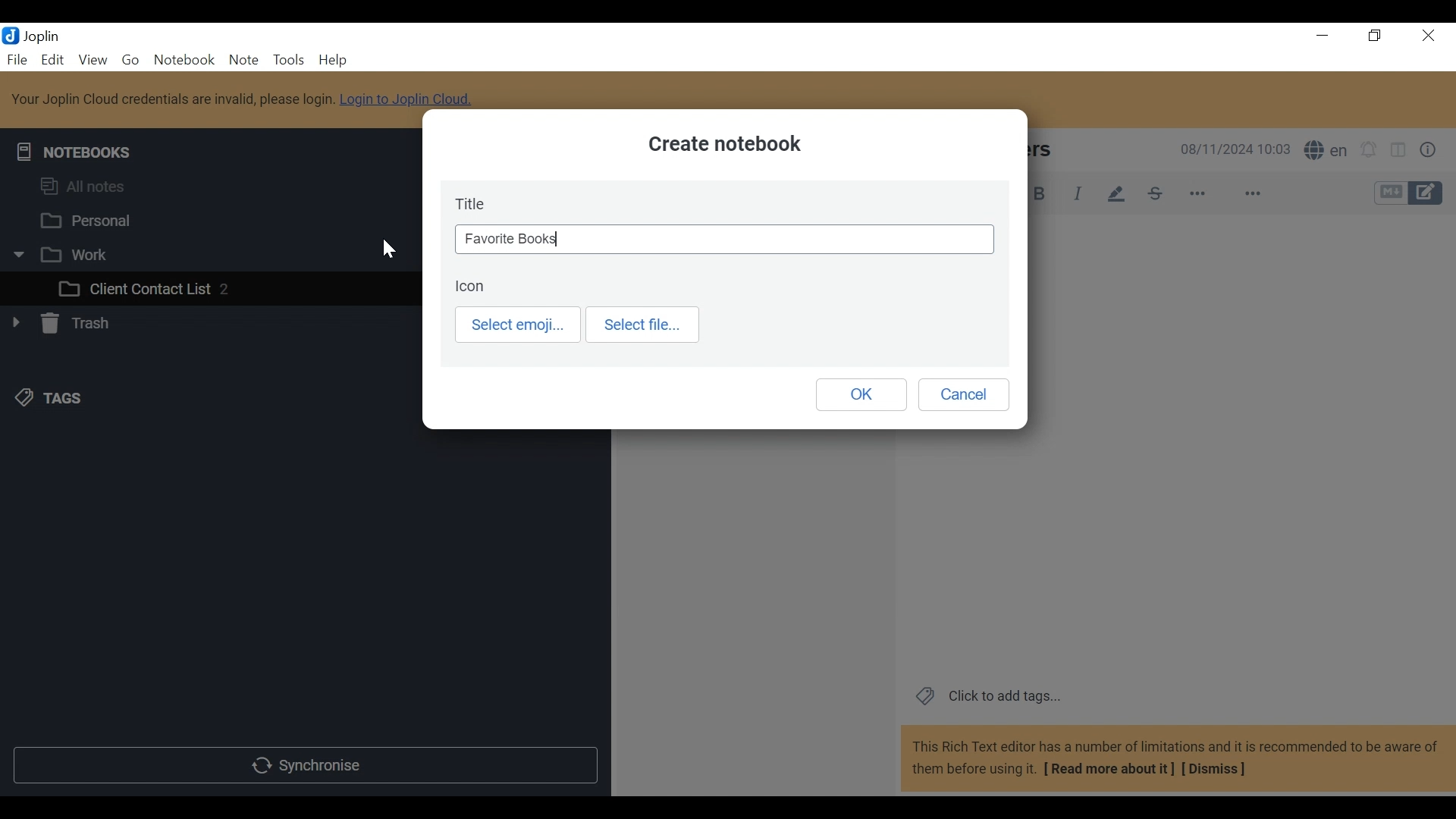  What do you see at coordinates (72, 152) in the screenshot?
I see `Notebooks` at bounding box center [72, 152].